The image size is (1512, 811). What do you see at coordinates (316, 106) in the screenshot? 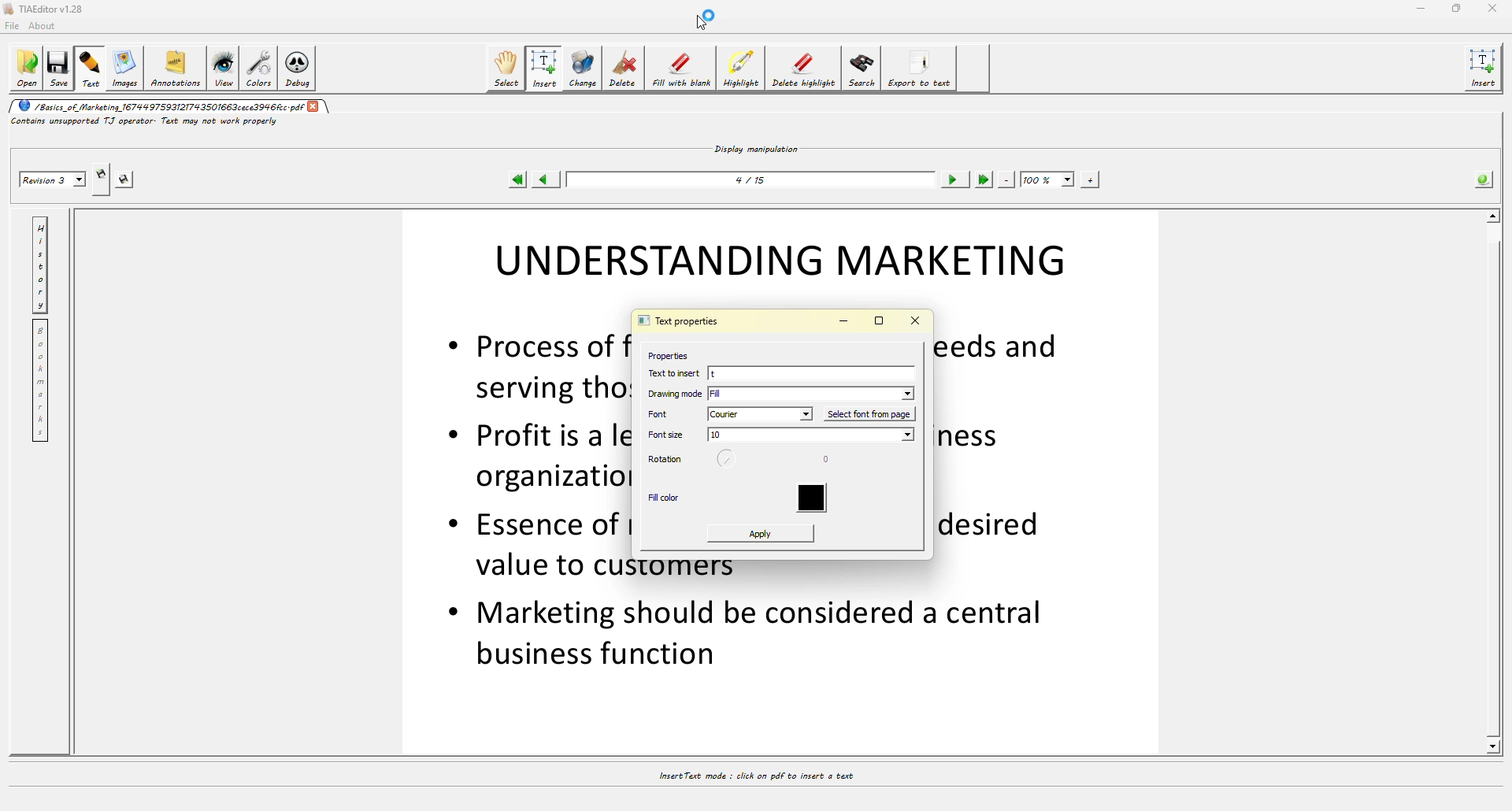
I see `close` at bounding box center [316, 106].